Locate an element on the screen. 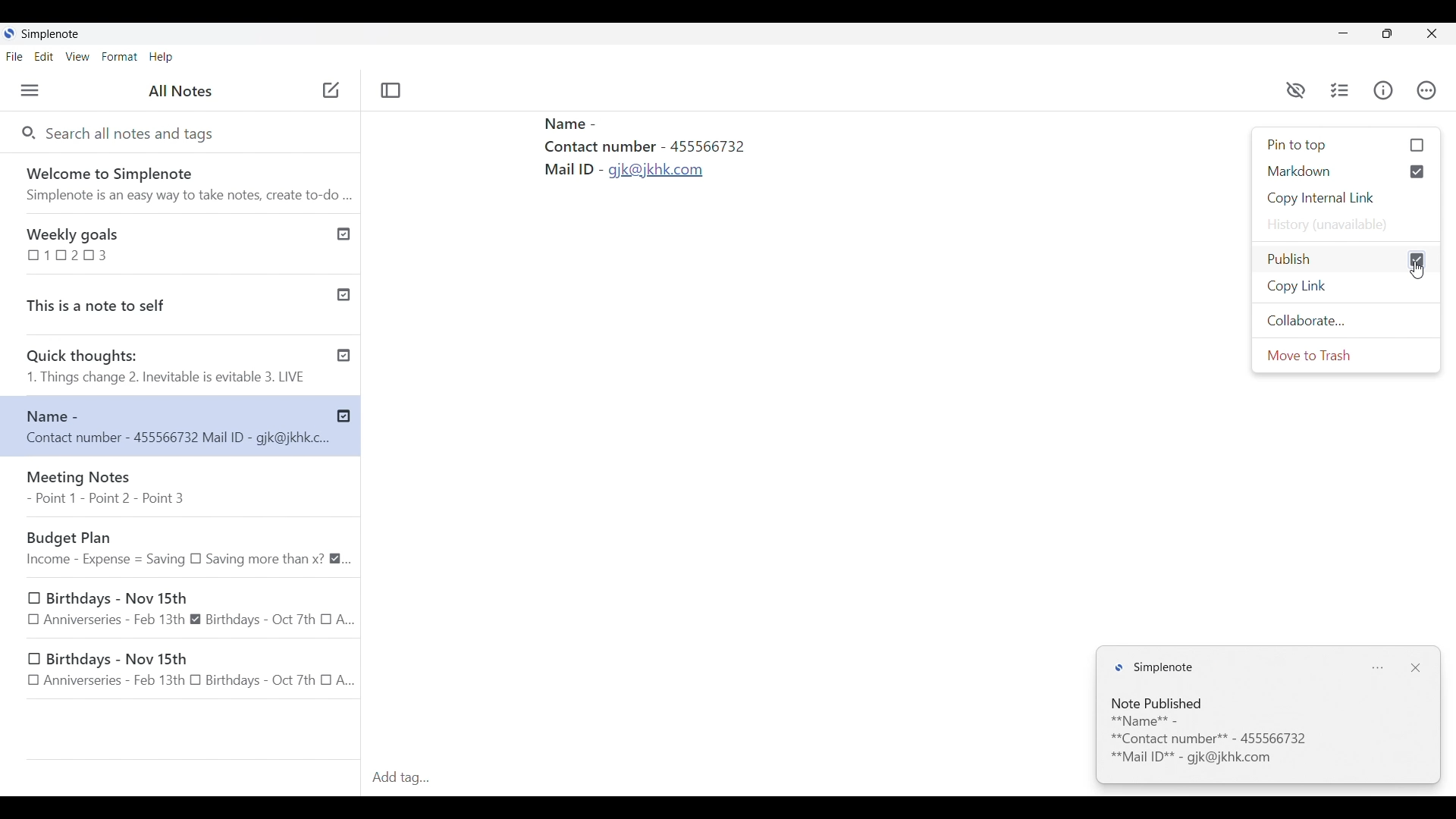 This screenshot has height=819, width=1456. Text pasted in new formatting is located at coordinates (684, 166).